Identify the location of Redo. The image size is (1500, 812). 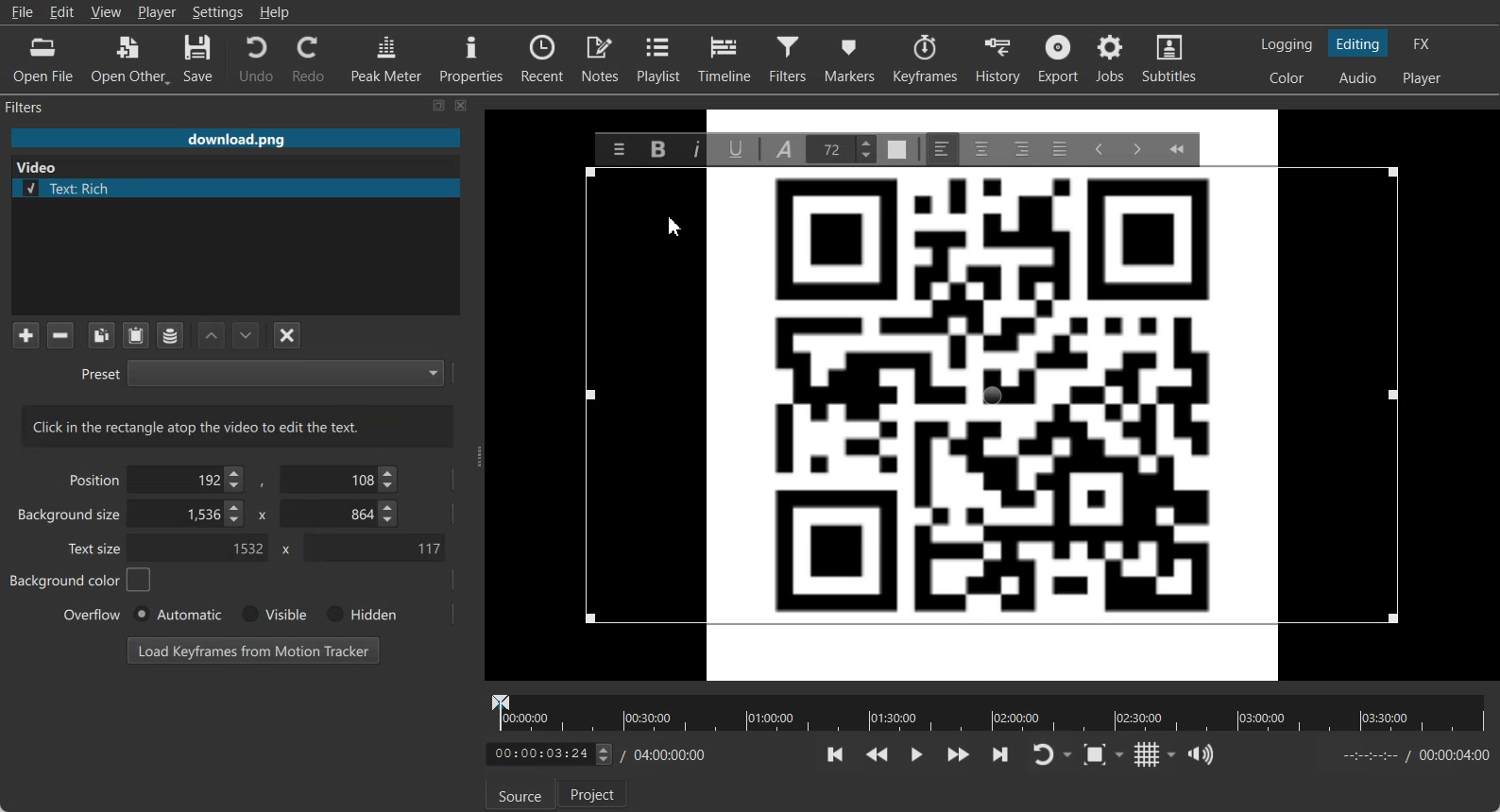
(310, 59).